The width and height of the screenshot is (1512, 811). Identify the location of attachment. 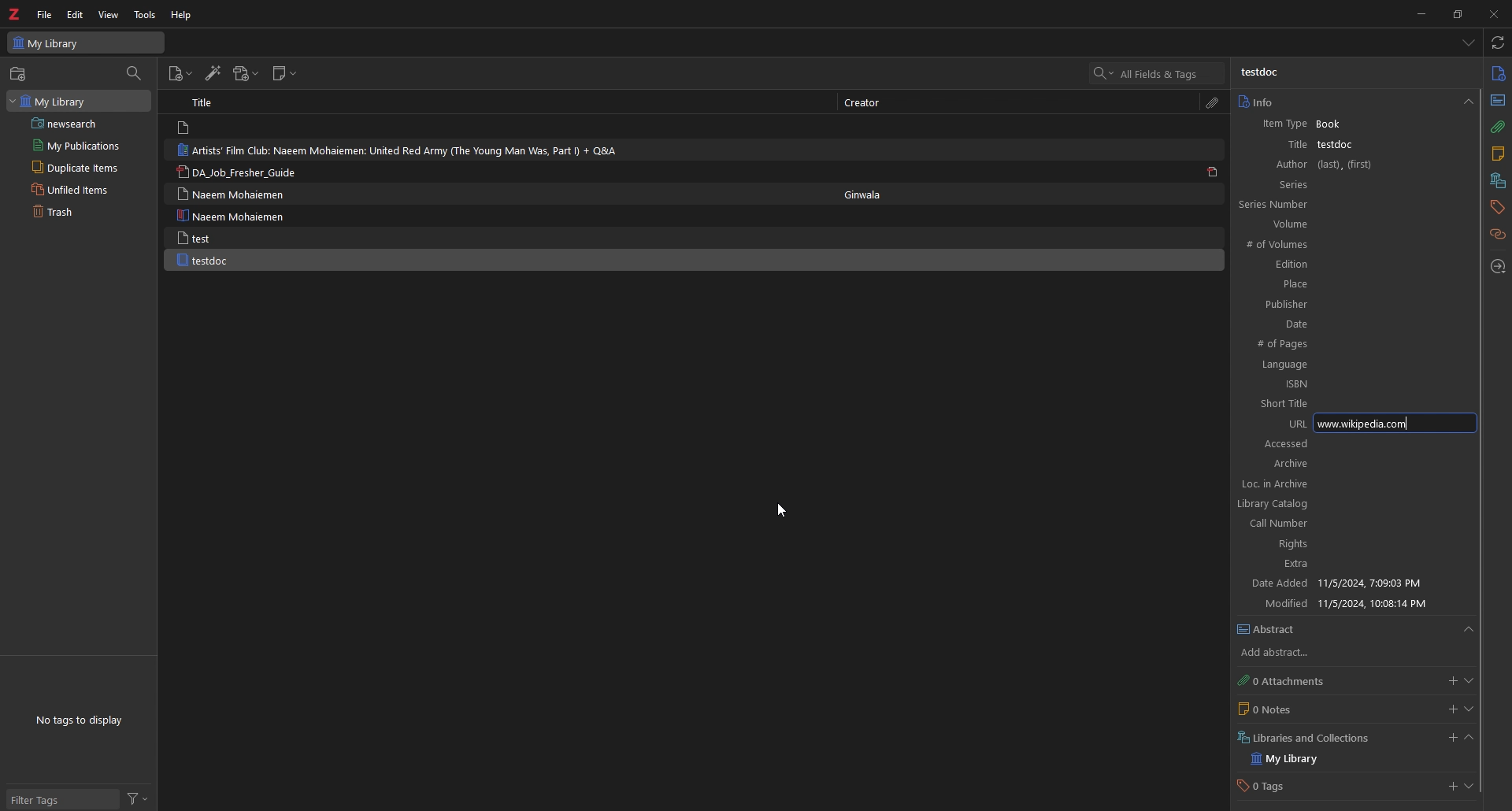
(1213, 104).